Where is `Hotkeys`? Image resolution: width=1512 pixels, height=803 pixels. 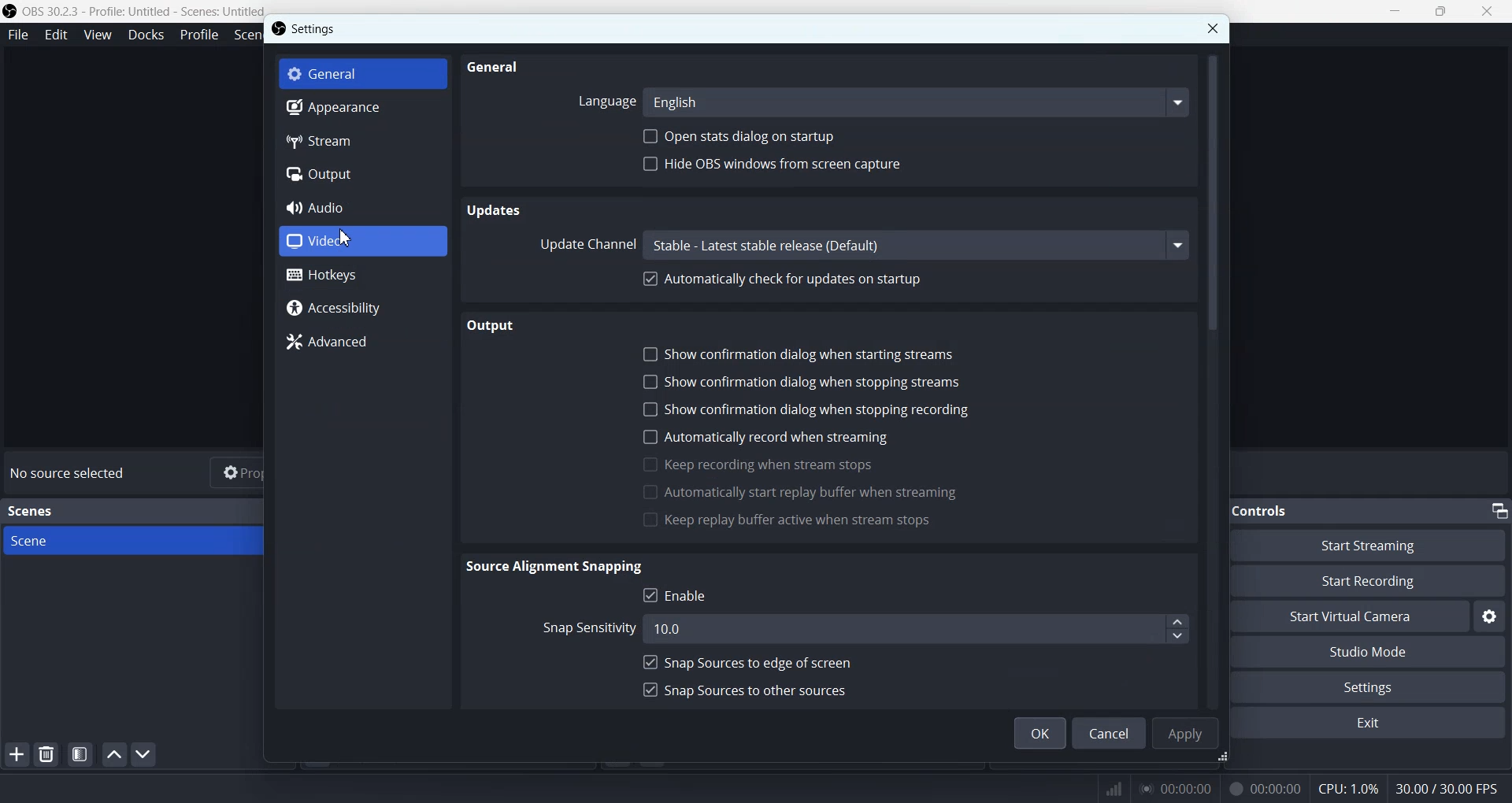
Hotkeys is located at coordinates (363, 275).